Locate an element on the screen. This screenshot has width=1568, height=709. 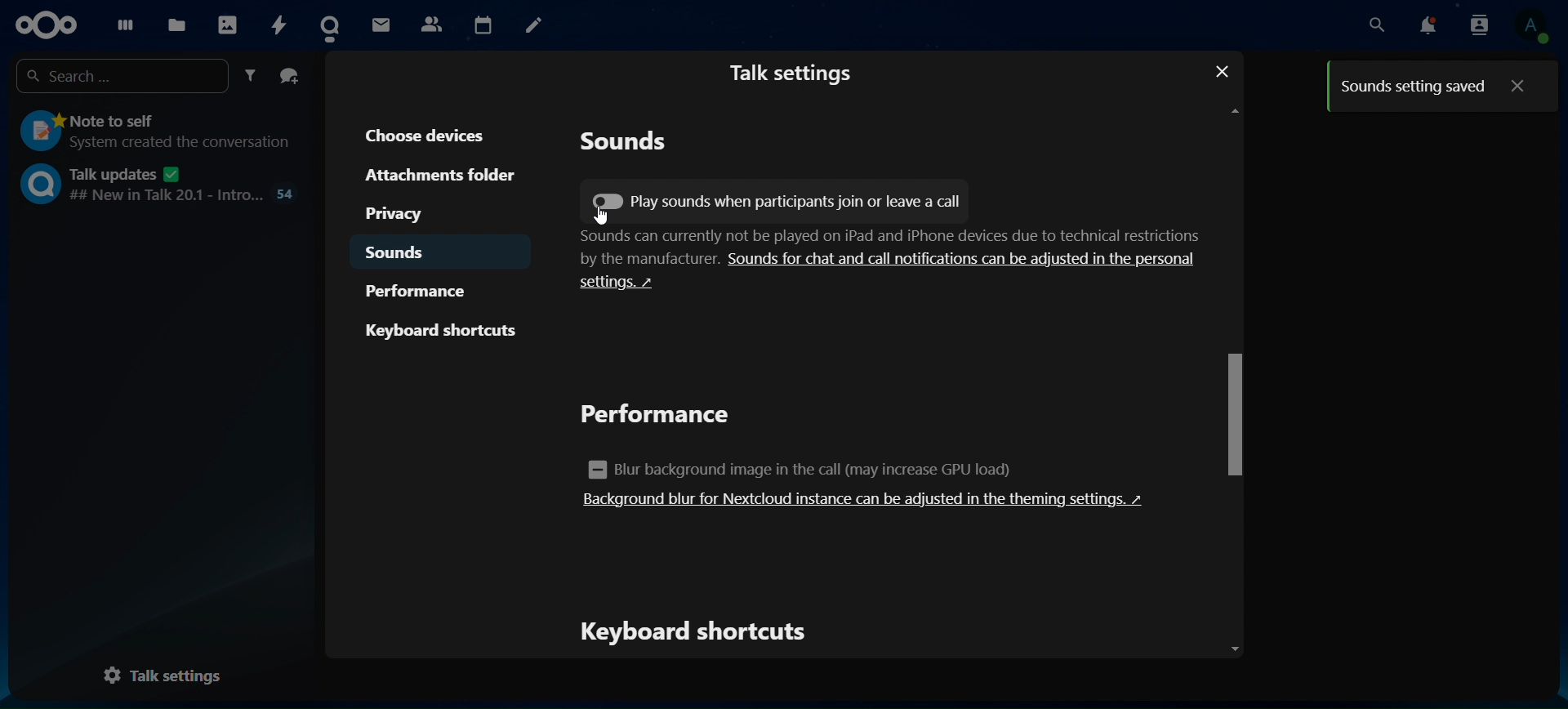
performance is located at coordinates (427, 290).